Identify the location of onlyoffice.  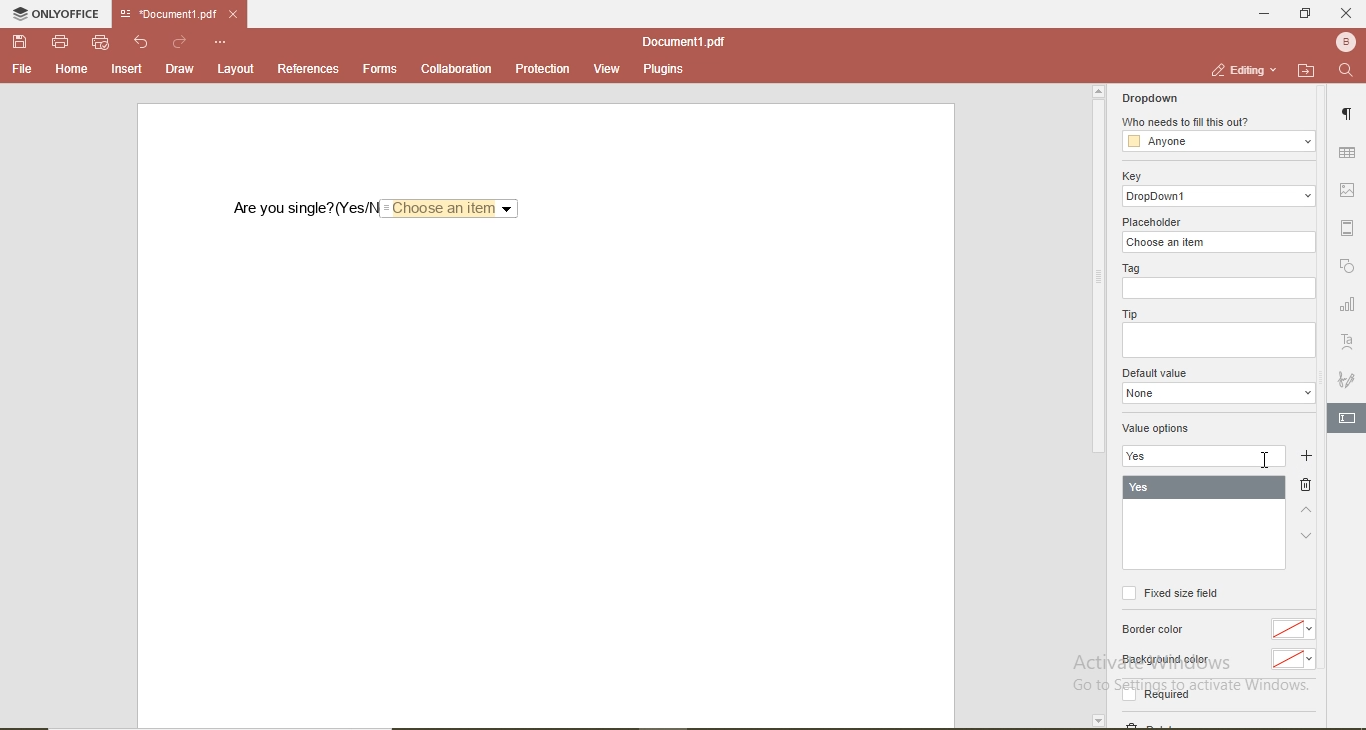
(61, 13).